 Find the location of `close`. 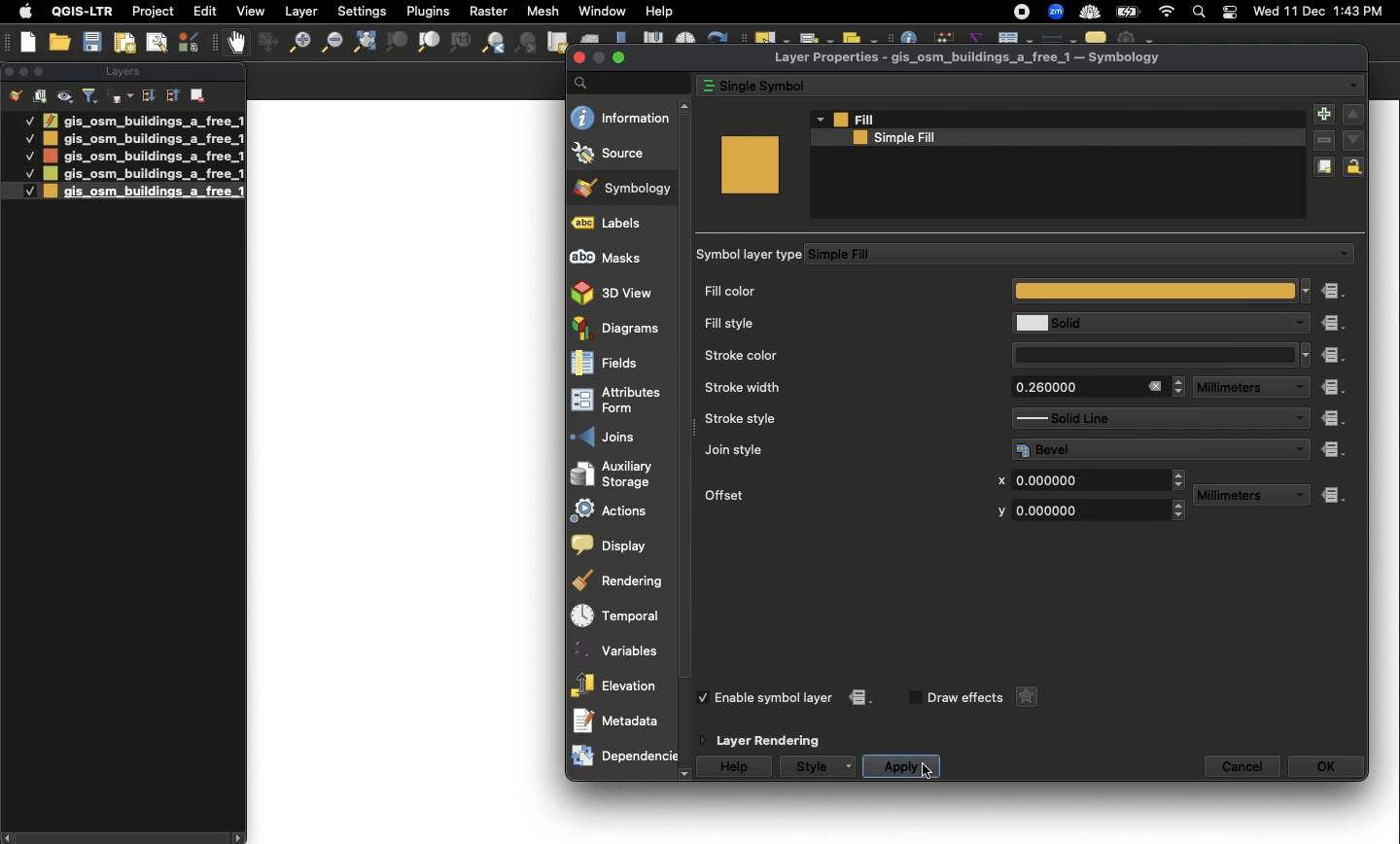

close is located at coordinates (580, 58).